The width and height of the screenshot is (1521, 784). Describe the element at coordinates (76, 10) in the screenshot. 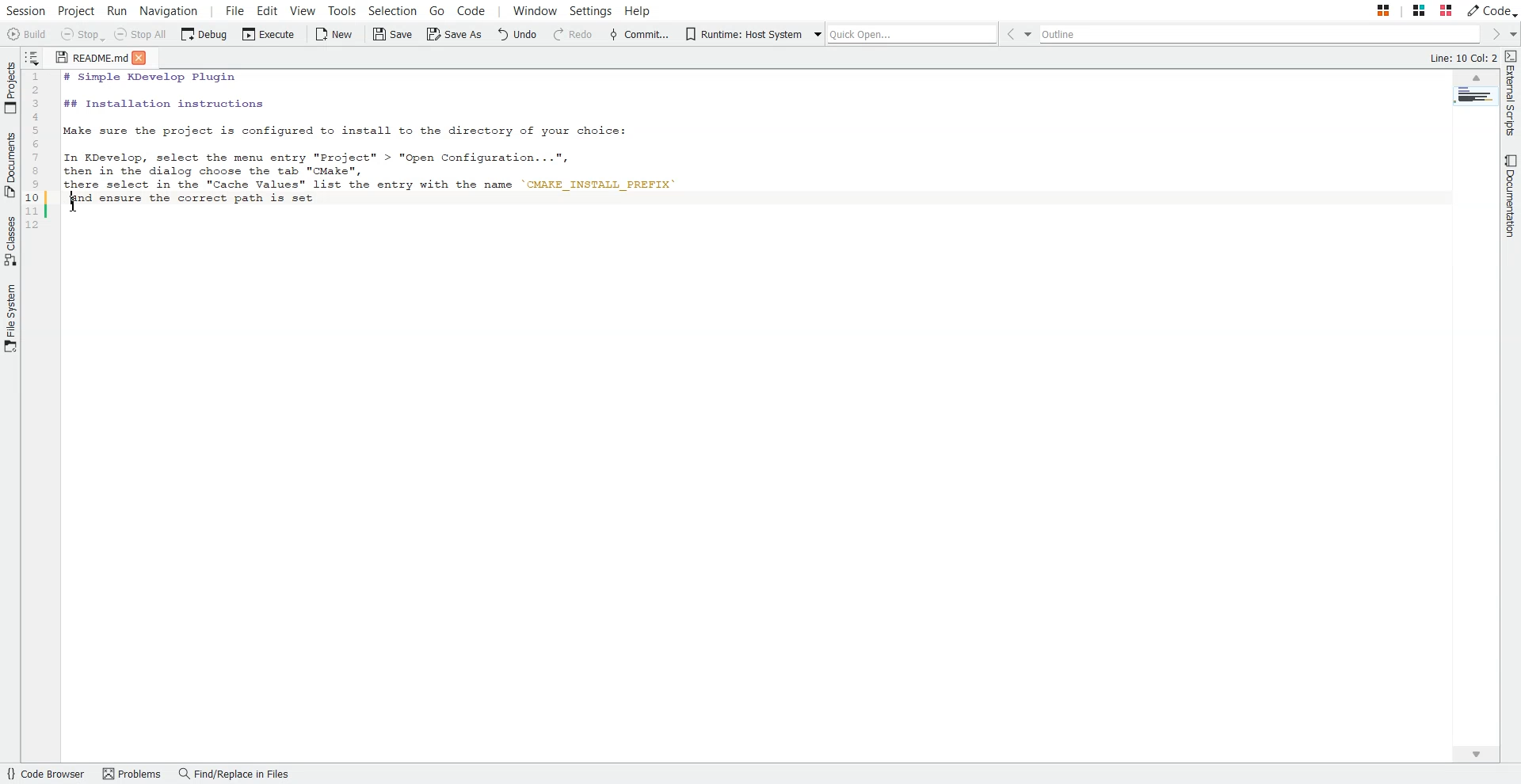

I see `Project` at that location.